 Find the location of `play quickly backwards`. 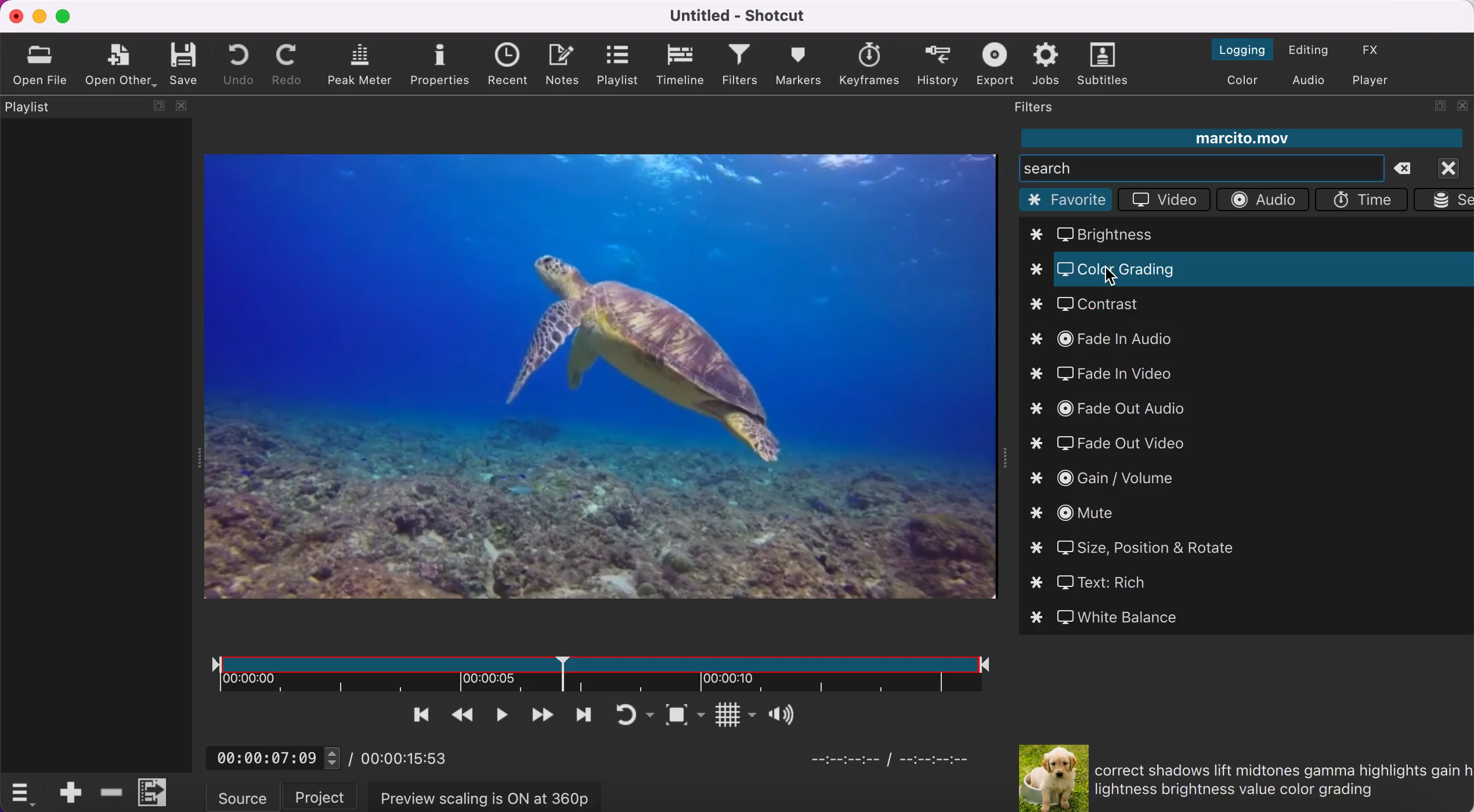

play quickly backwards is located at coordinates (460, 715).